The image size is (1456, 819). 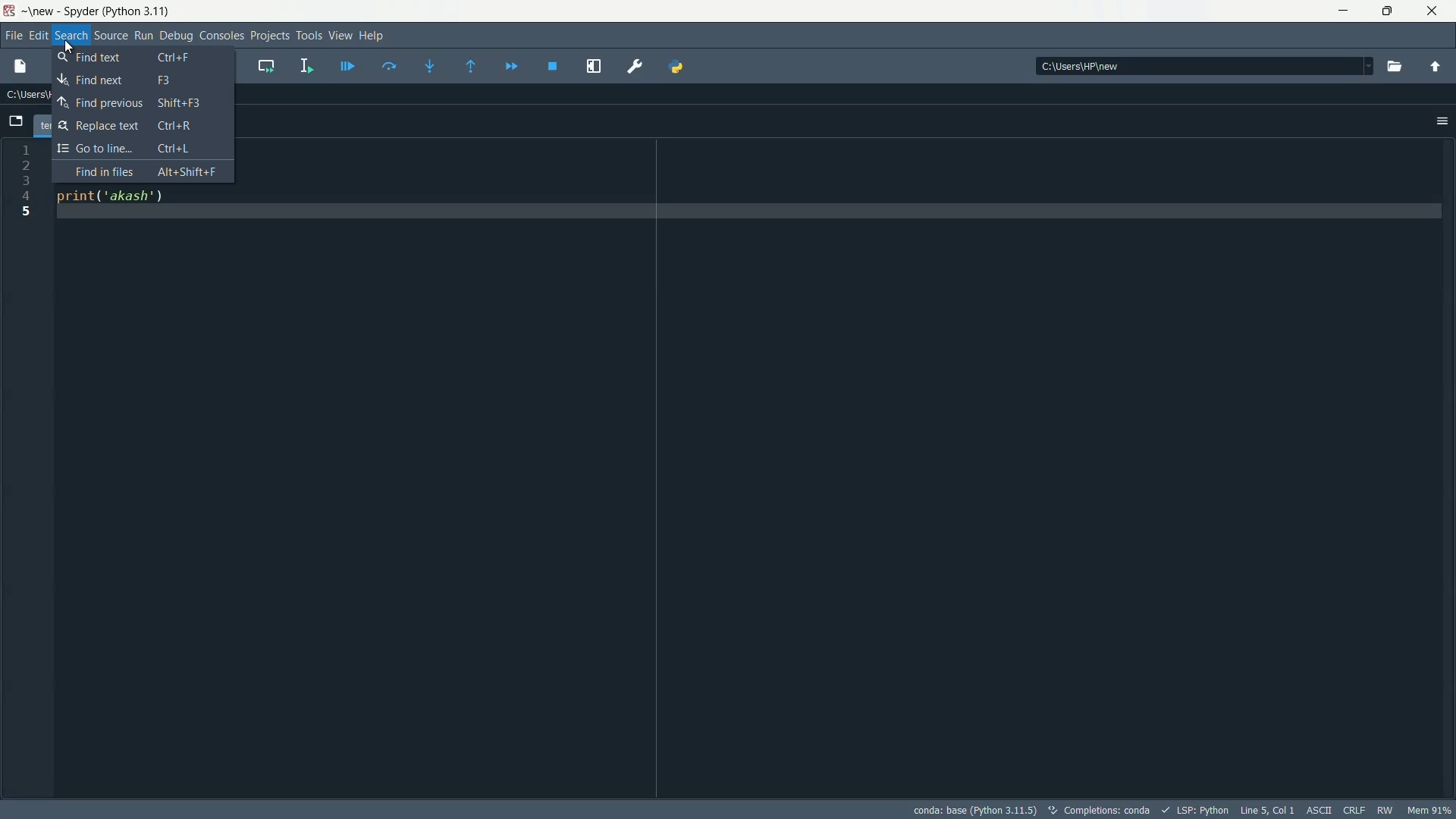 What do you see at coordinates (142, 36) in the screenshot?
I see `run menu` at bounding box center [142, 36].